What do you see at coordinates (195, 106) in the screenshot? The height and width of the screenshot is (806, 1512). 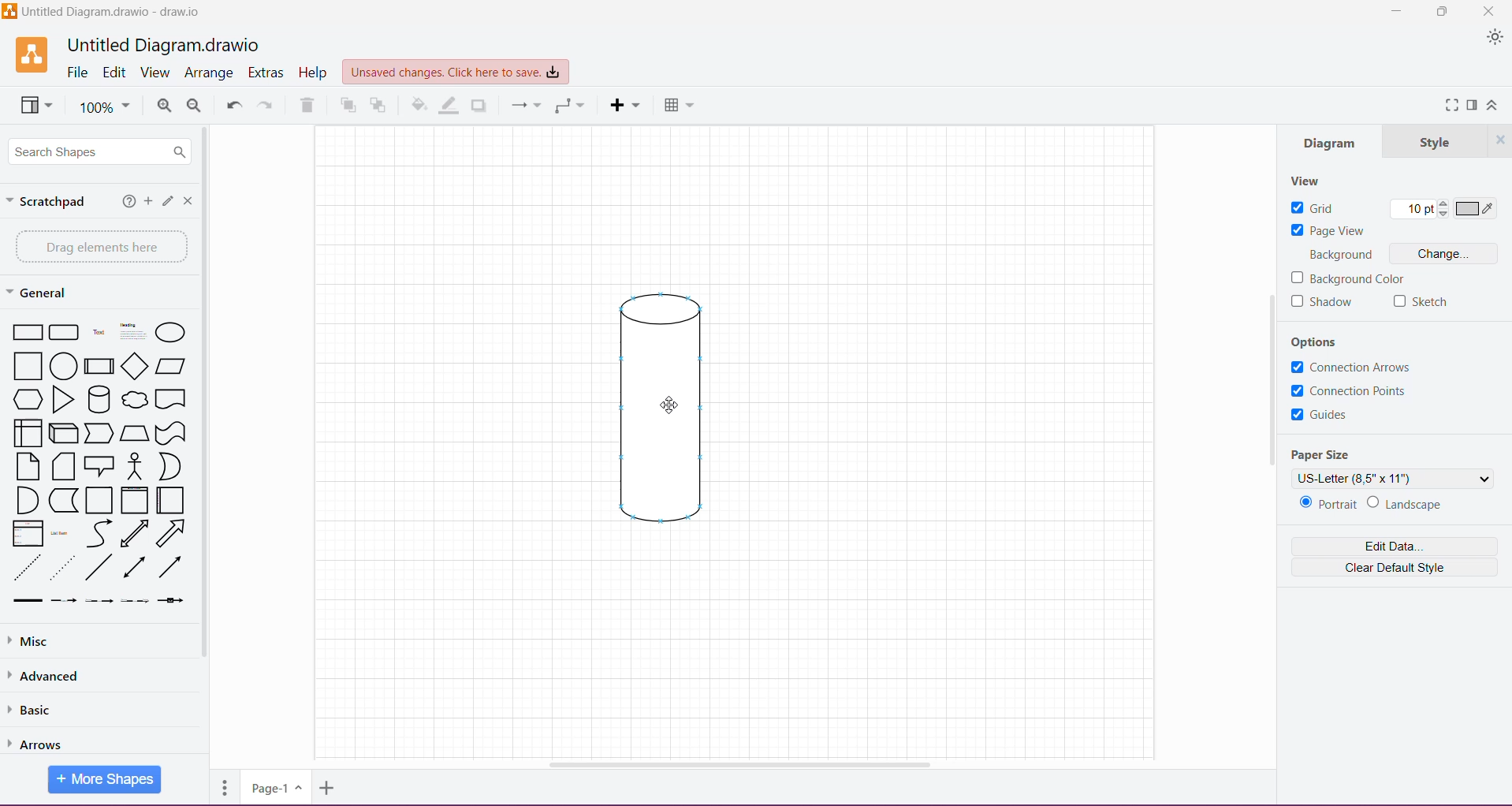 I see `Zoom Out` at bounding box center [195, 106].